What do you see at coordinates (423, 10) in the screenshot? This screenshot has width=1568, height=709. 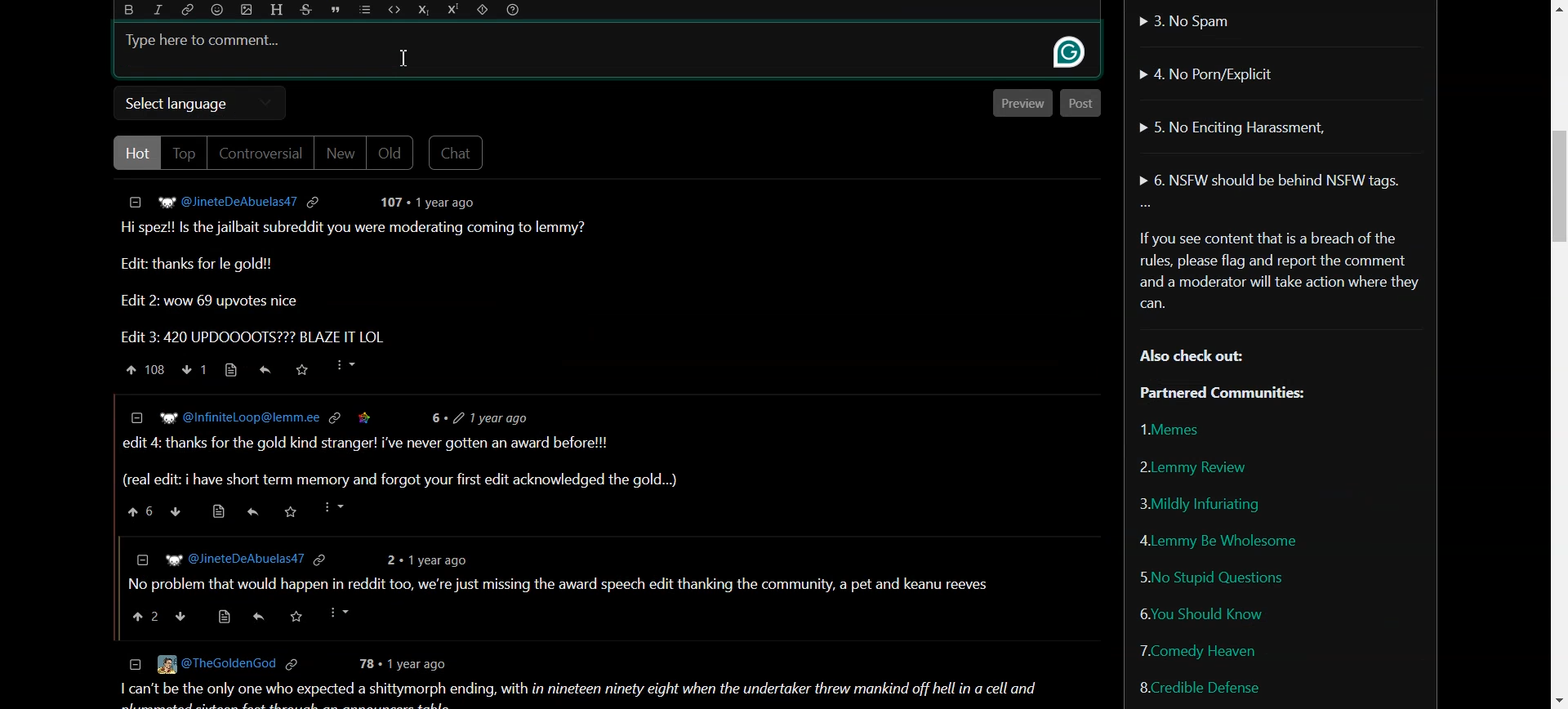 I see `Subscript` at bounding box center [423, 10].